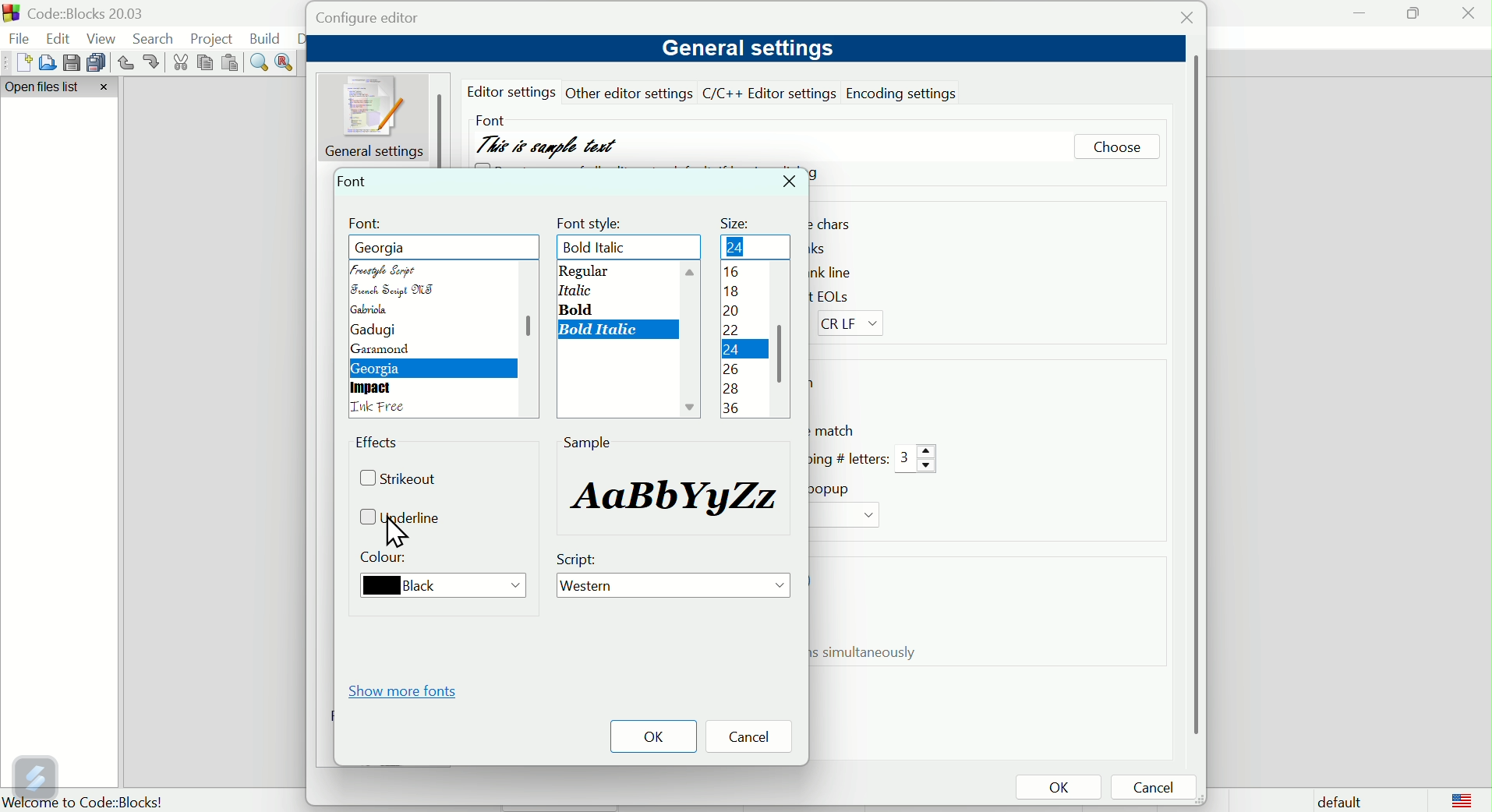 The height and width of the screenshot is (812, 1492). I want to click on Bold oblique, so click(603, 248).